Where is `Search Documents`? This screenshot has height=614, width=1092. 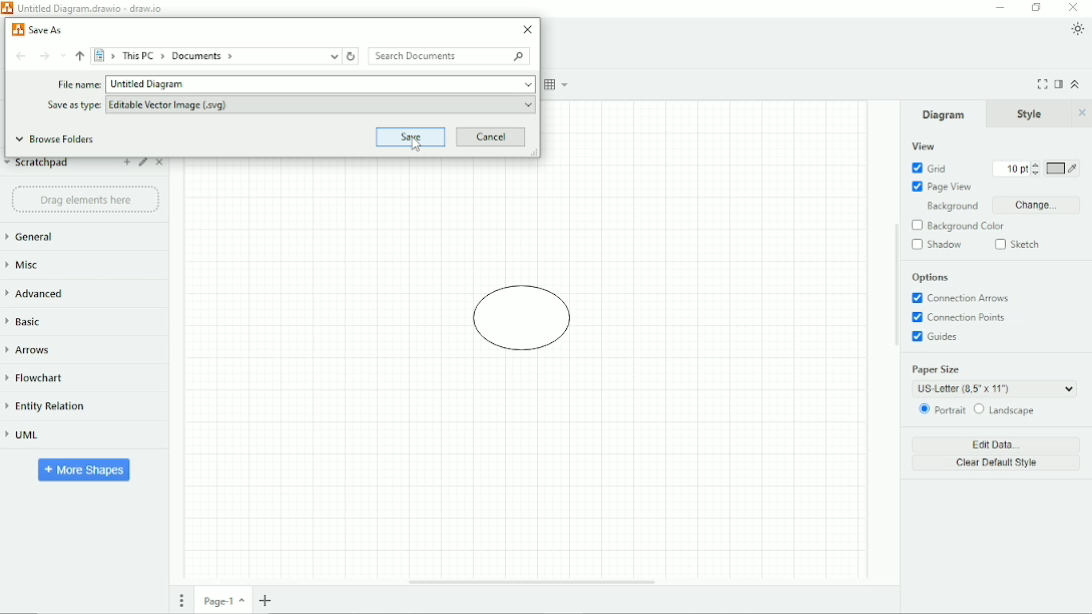
Search Documents is located at coordinates (448, 56).